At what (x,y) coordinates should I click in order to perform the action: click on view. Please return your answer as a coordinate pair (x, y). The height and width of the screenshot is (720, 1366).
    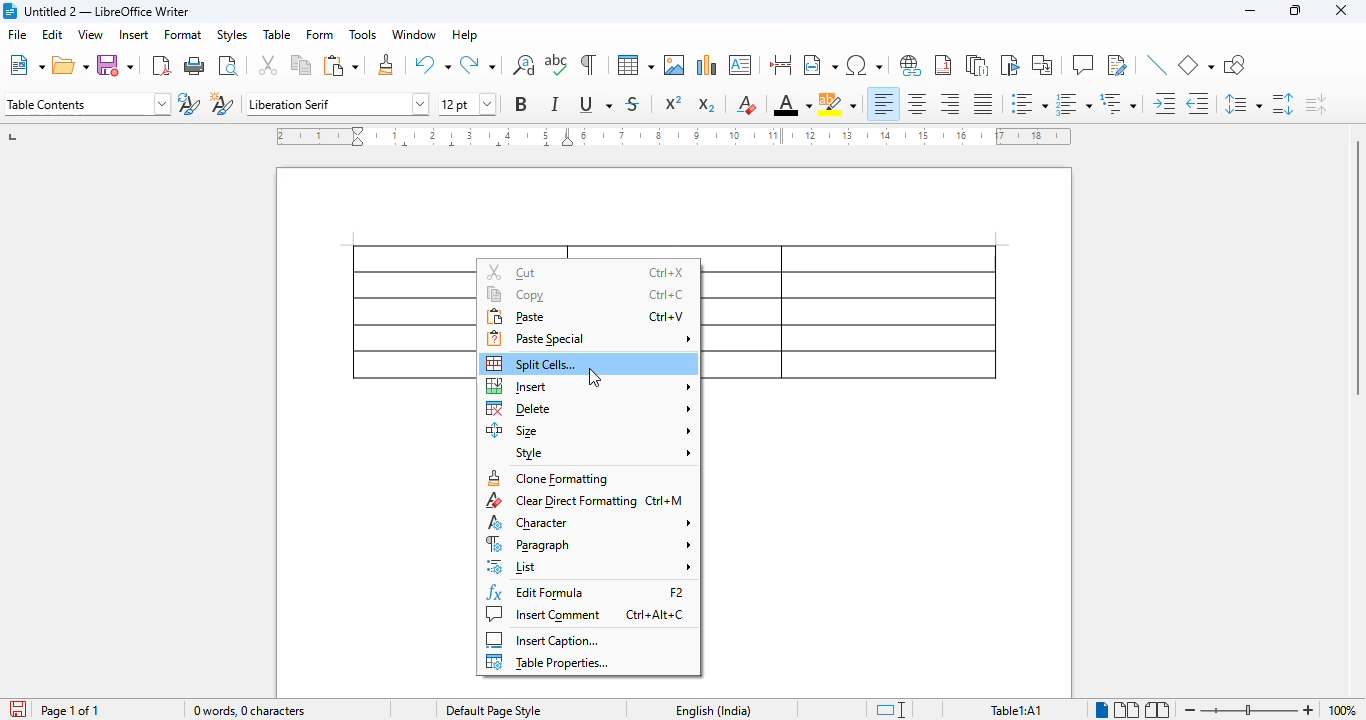
    Looking at the image, I should click on (90, 34).